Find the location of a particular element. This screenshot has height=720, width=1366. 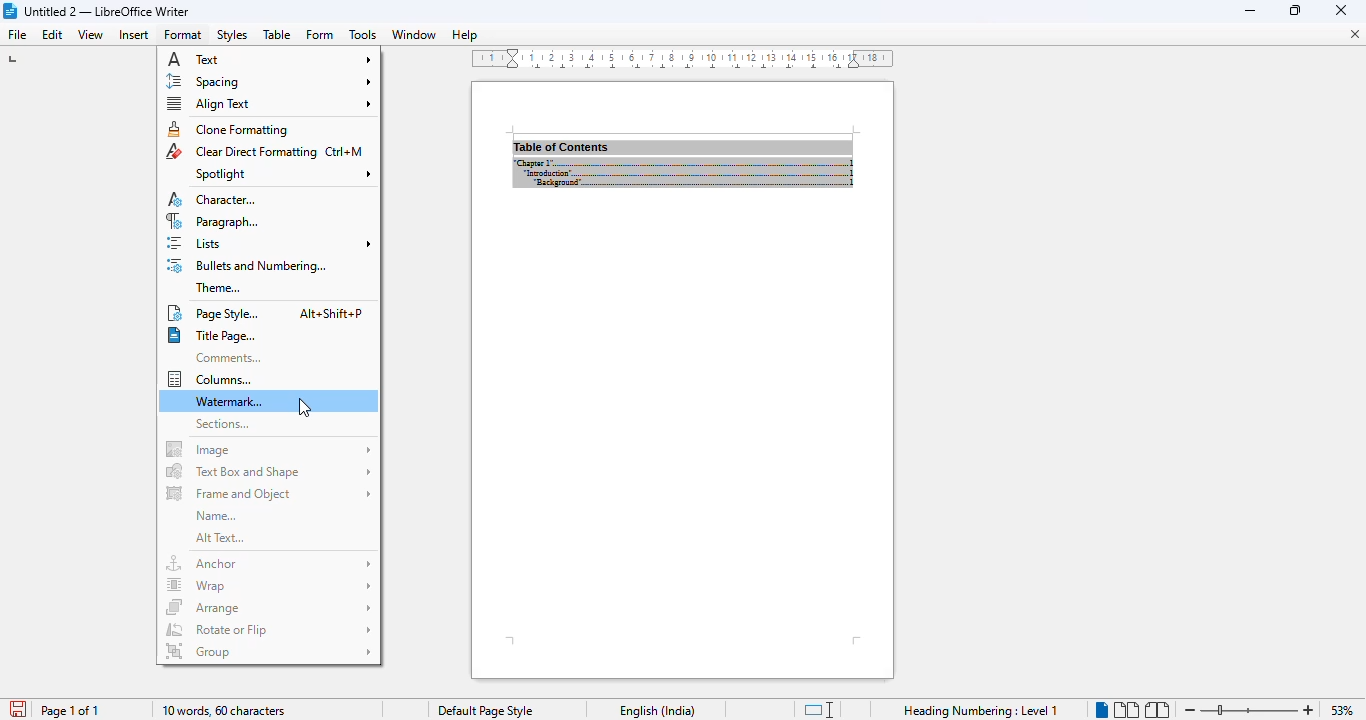

view is located at coordinates (91, 35).